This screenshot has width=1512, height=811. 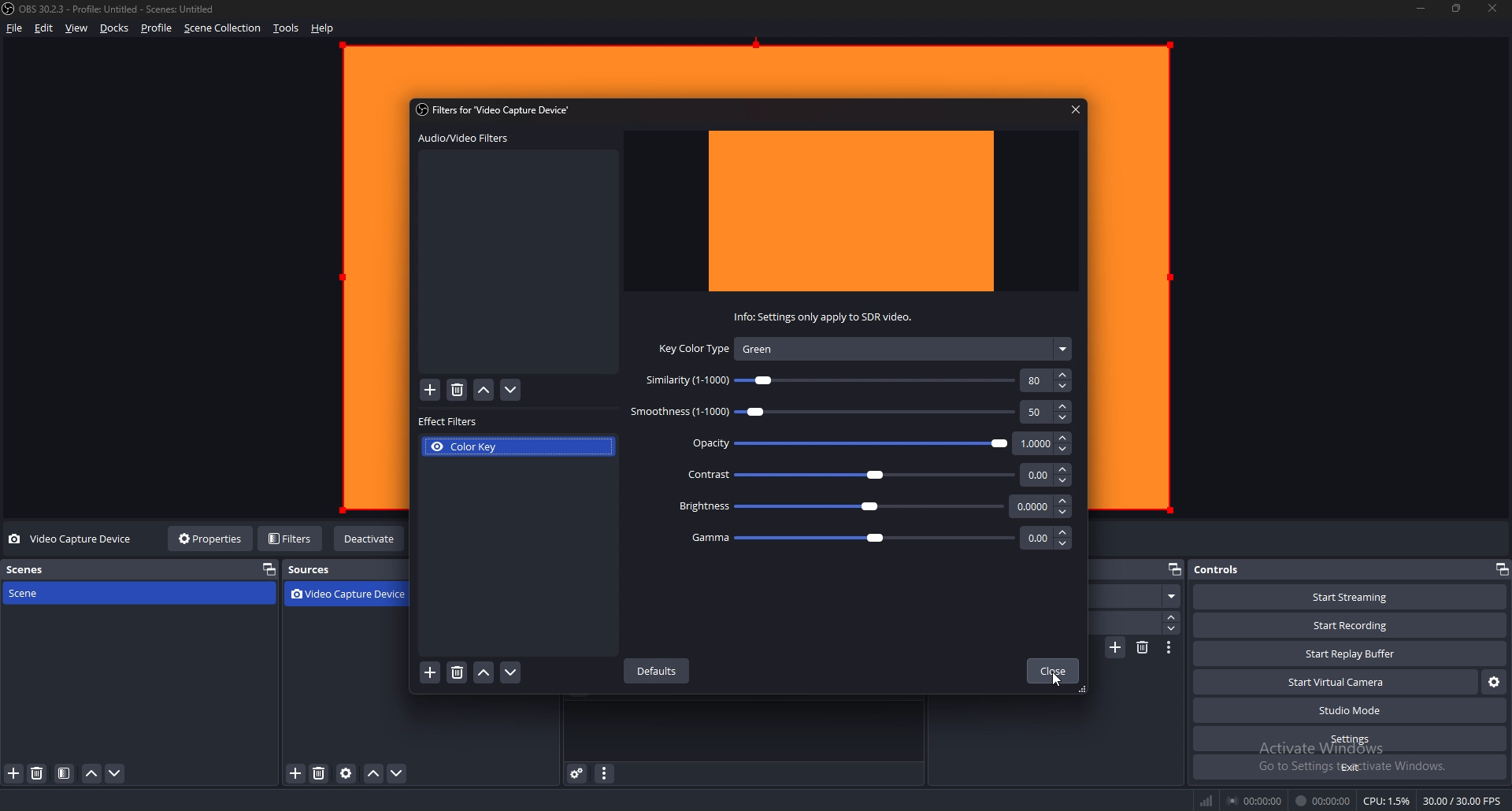 I want to click on audio video filter, so click(x=463, y=139).